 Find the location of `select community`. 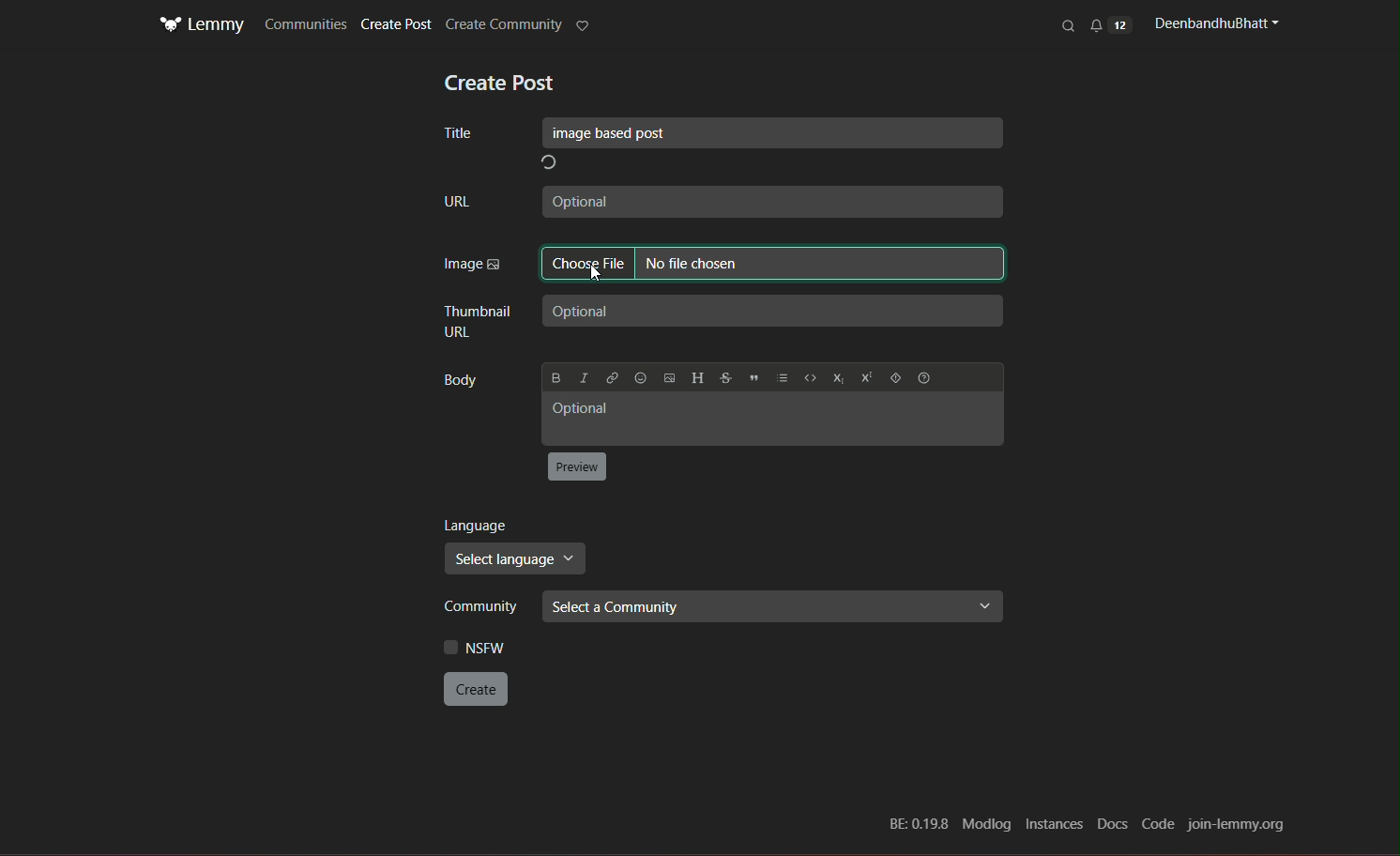

select community is located at coordinates (770, 606).